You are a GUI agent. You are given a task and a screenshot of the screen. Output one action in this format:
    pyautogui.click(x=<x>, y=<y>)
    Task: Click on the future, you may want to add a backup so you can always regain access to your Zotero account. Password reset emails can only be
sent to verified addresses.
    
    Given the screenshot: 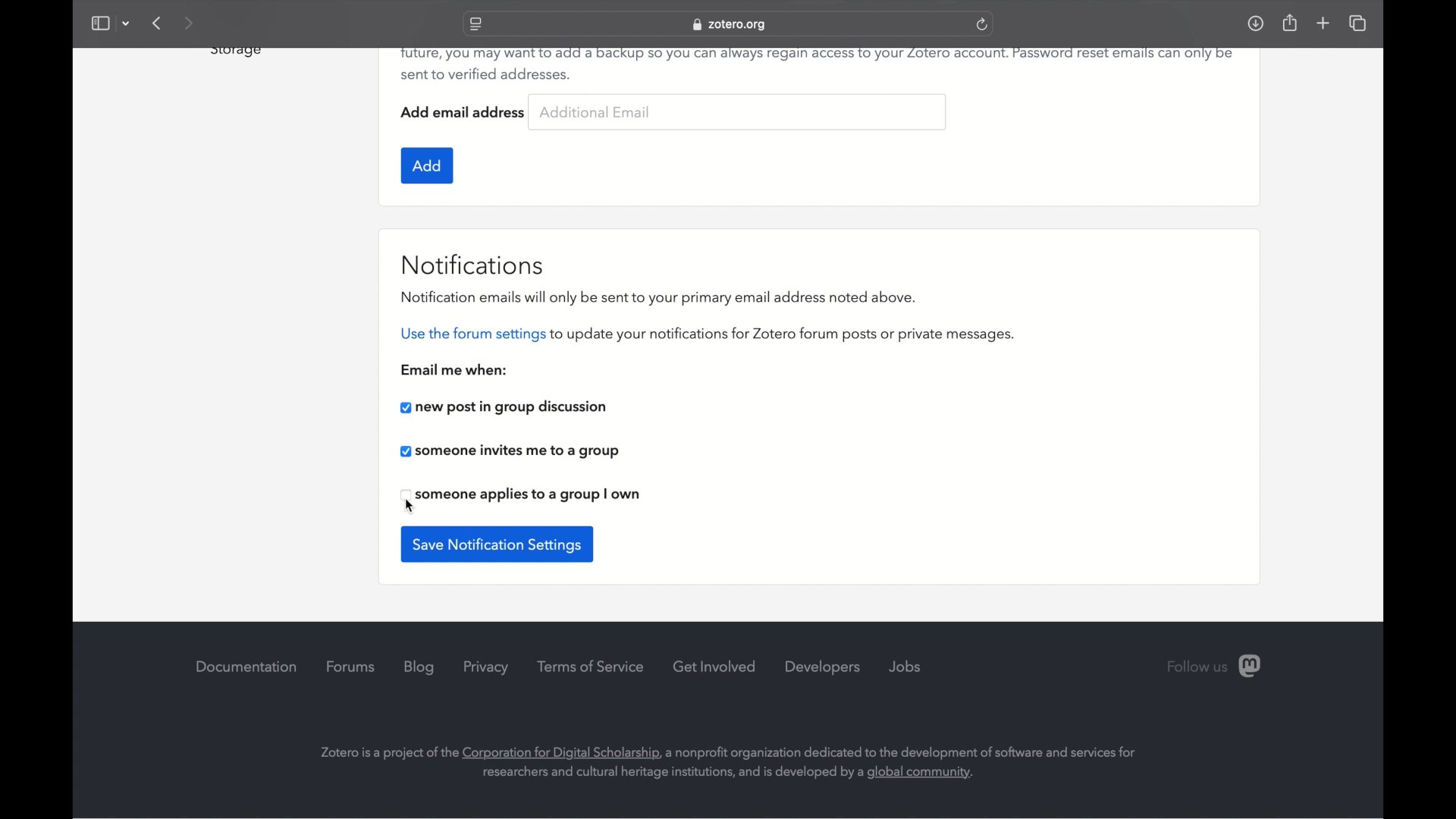 What is the action you would take?
    pyautogui.click(x=817, y=65)
    